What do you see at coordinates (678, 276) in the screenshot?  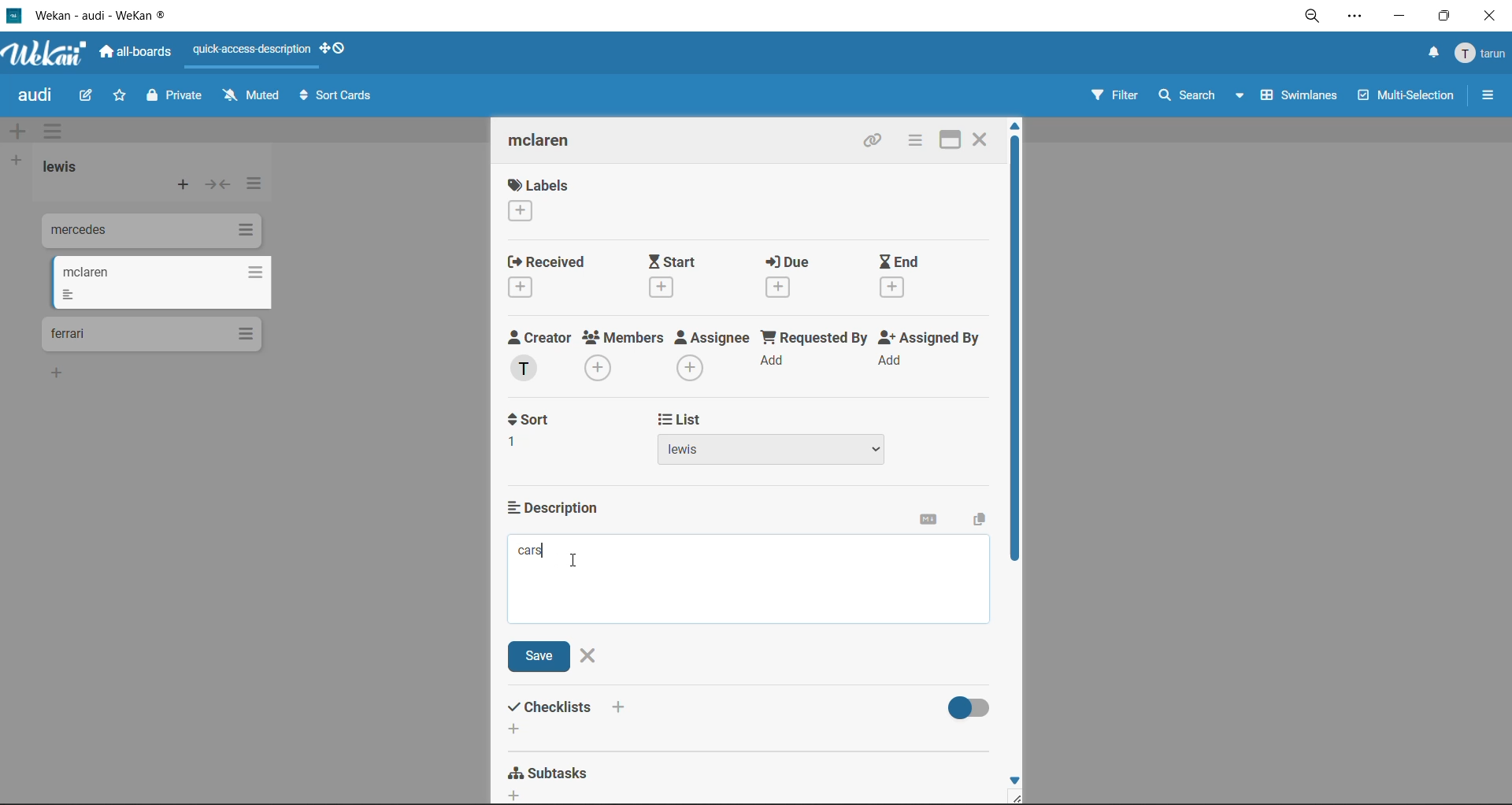 I see `start` at bounding box center [678, 276].